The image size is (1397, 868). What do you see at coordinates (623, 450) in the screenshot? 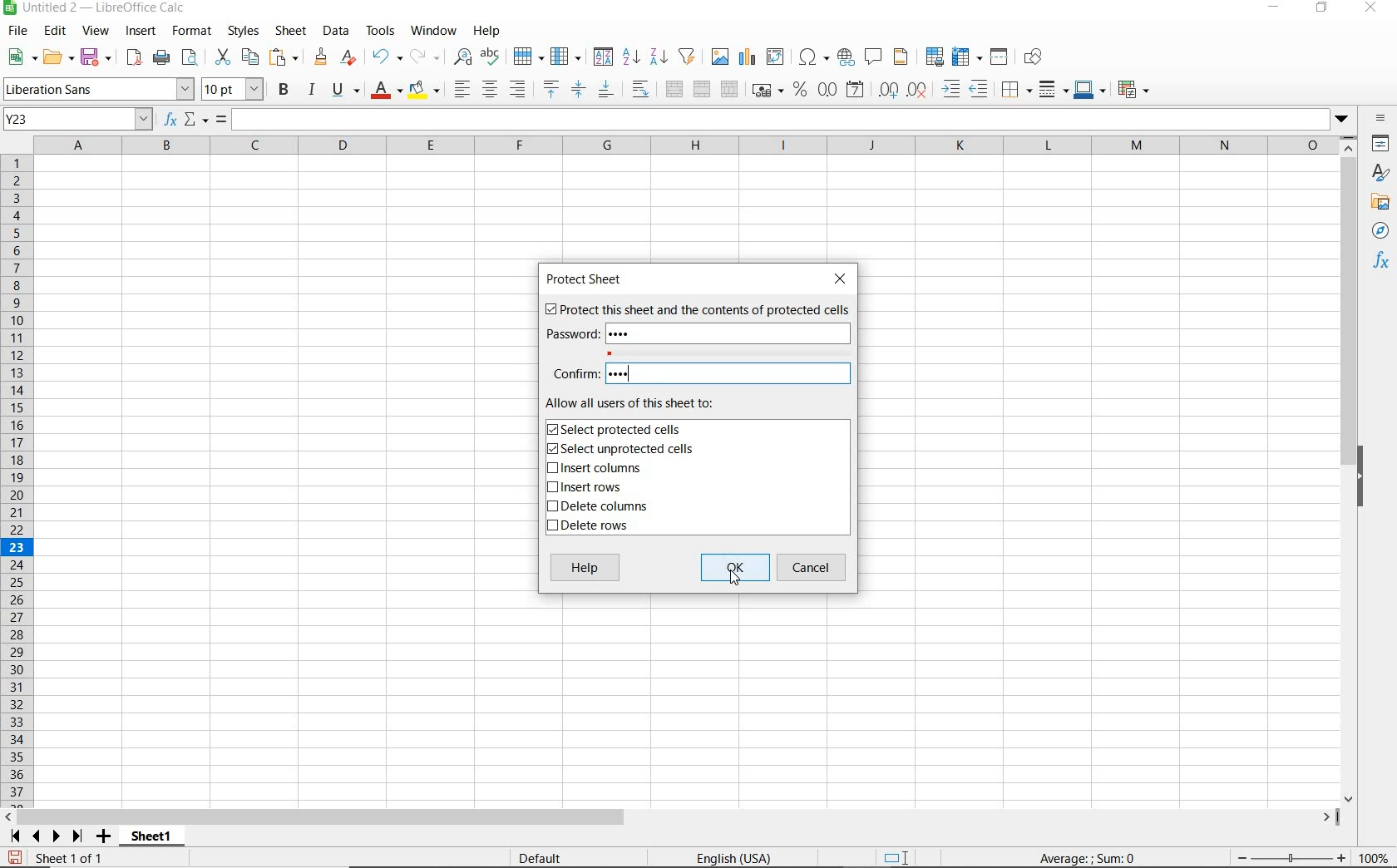
I see `SELECT UNPROTECTED CELLS` at bounding box center [623, 450].